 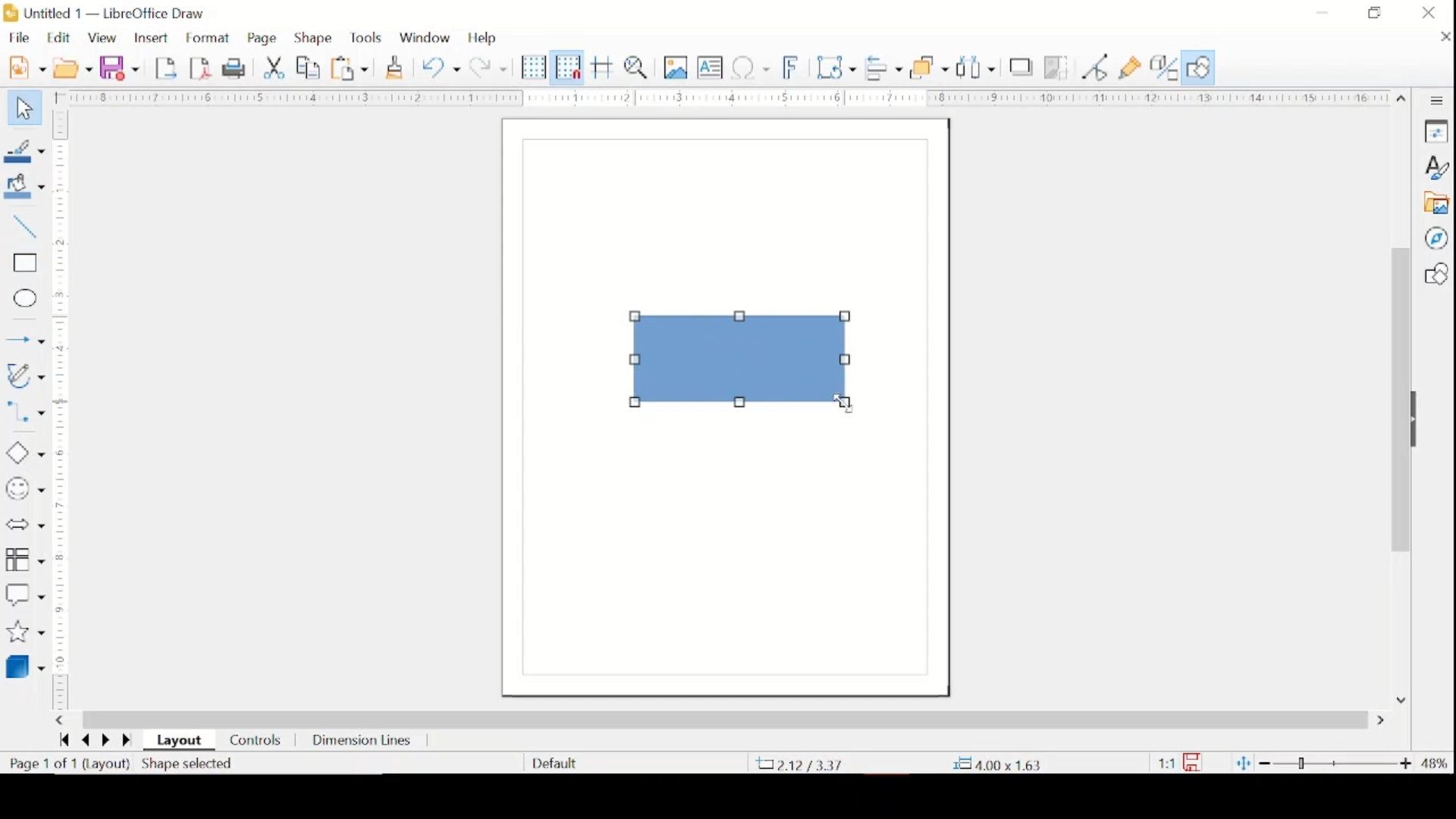 What do you see at coordinates (1442, 36) in the screenshot?
I see `close` at bounding box center [1442, 36].